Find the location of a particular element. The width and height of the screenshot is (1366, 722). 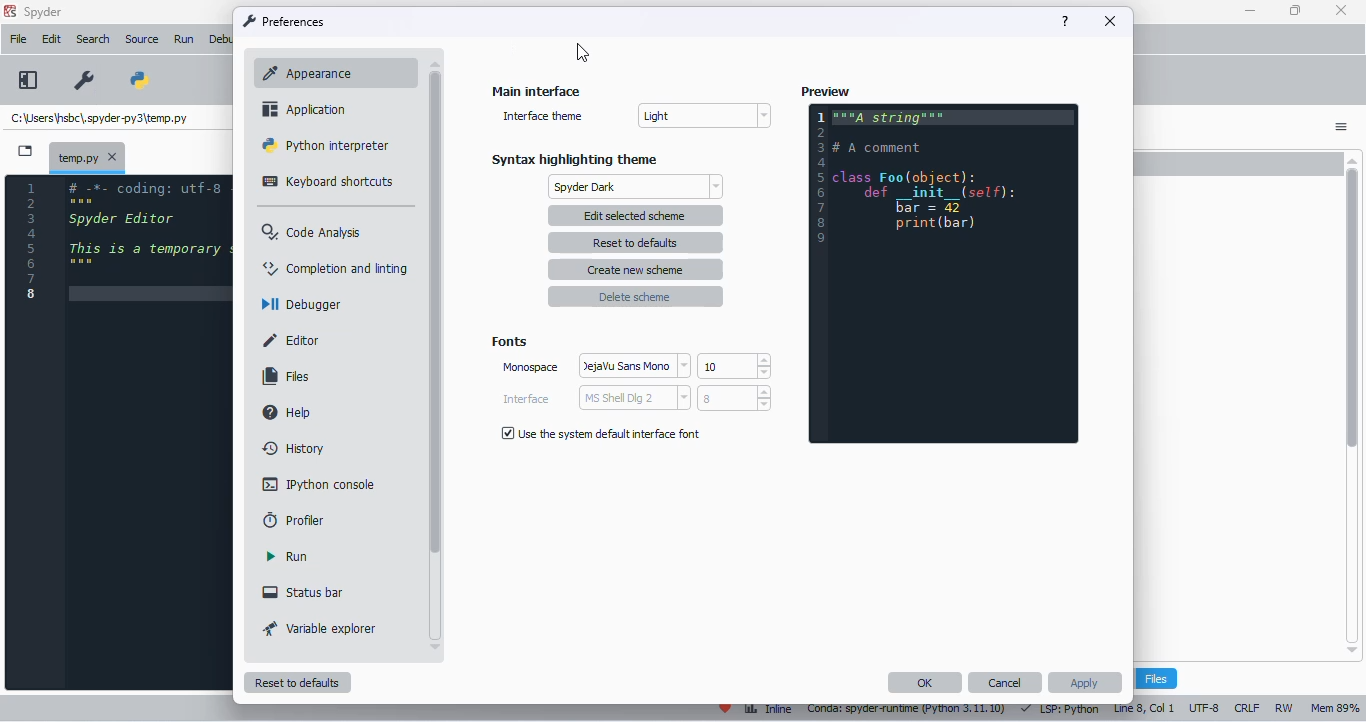

spyder dark is located at coordinates (637, 187).